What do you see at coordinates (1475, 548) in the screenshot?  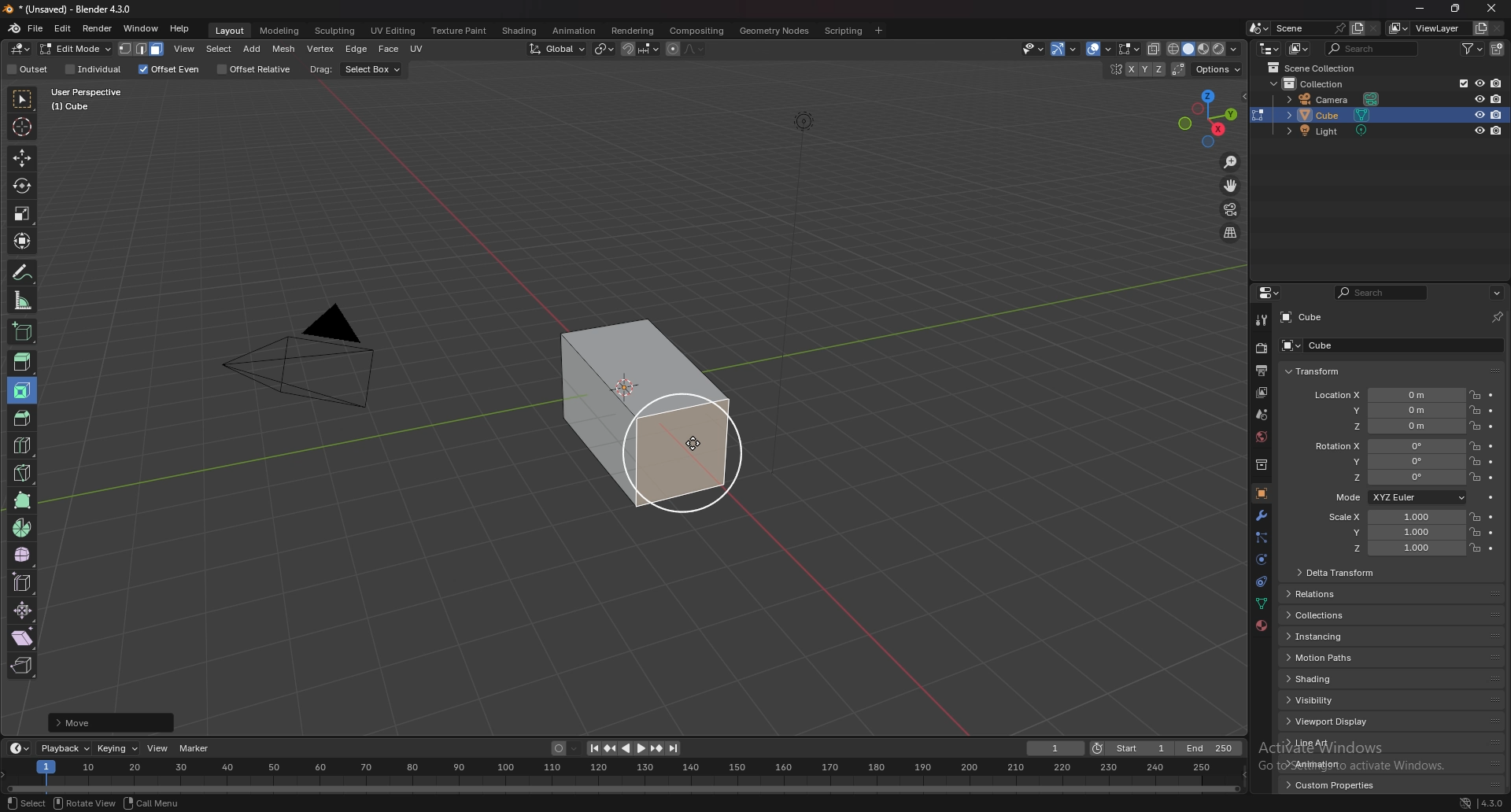 I see `lock` at bounding box center [1475, 548].